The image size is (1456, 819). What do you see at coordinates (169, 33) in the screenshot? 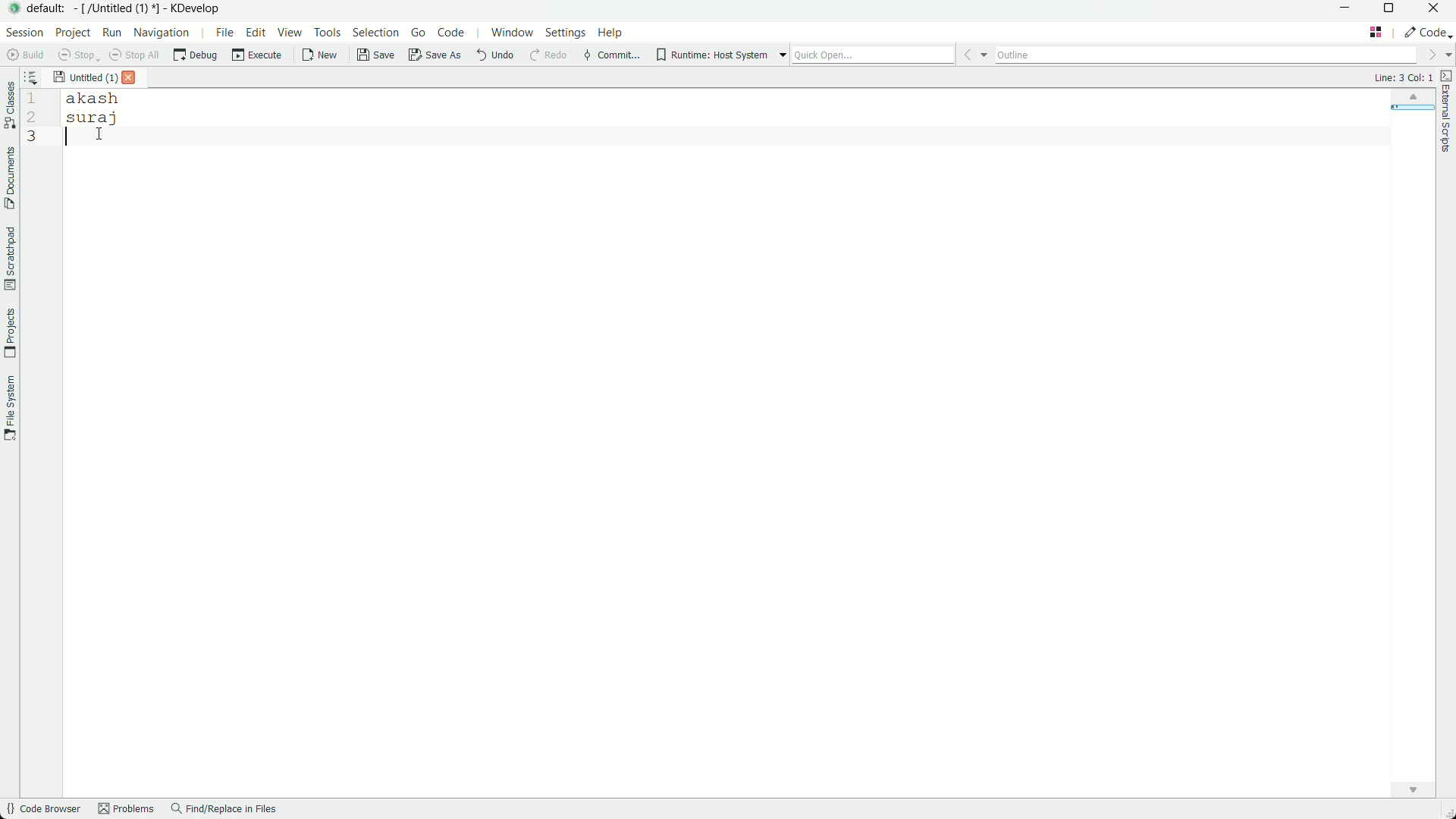
I see `navigation menu` at bounding box center [169, 33].